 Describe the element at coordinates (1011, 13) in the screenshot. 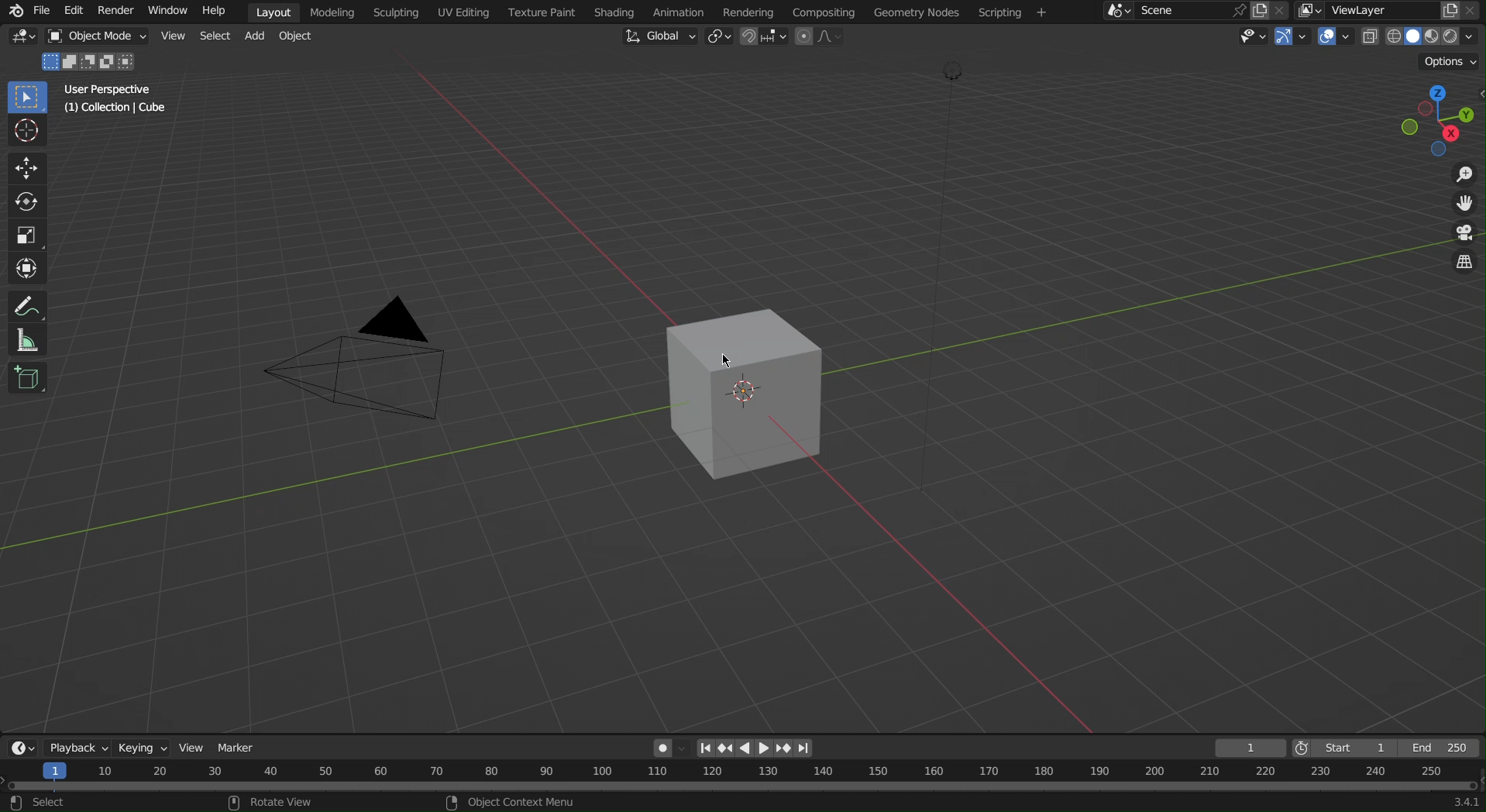

I see `Scripting` at that location.